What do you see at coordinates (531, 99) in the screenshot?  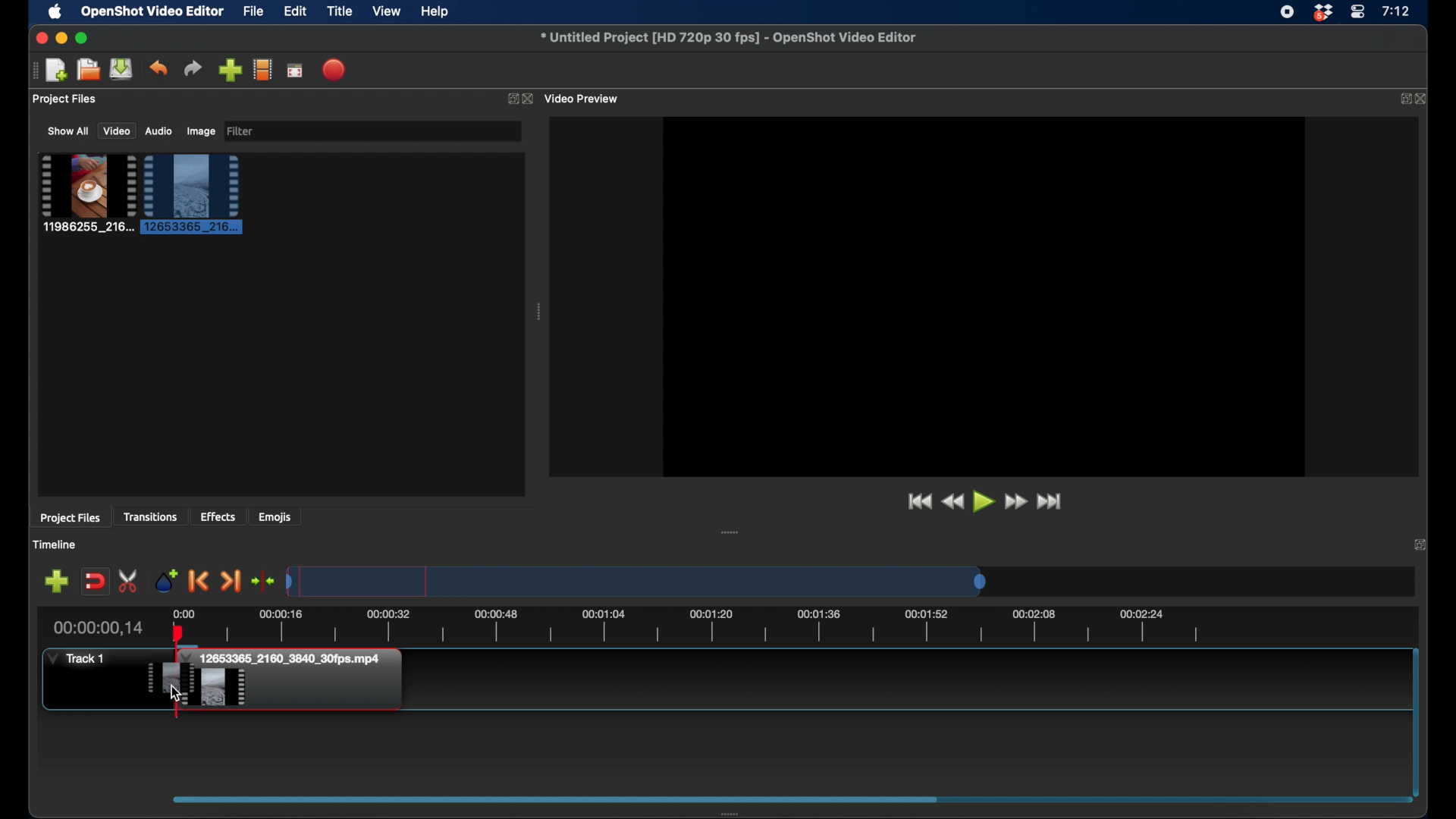 I see `close` at bounding box center [531, 99].